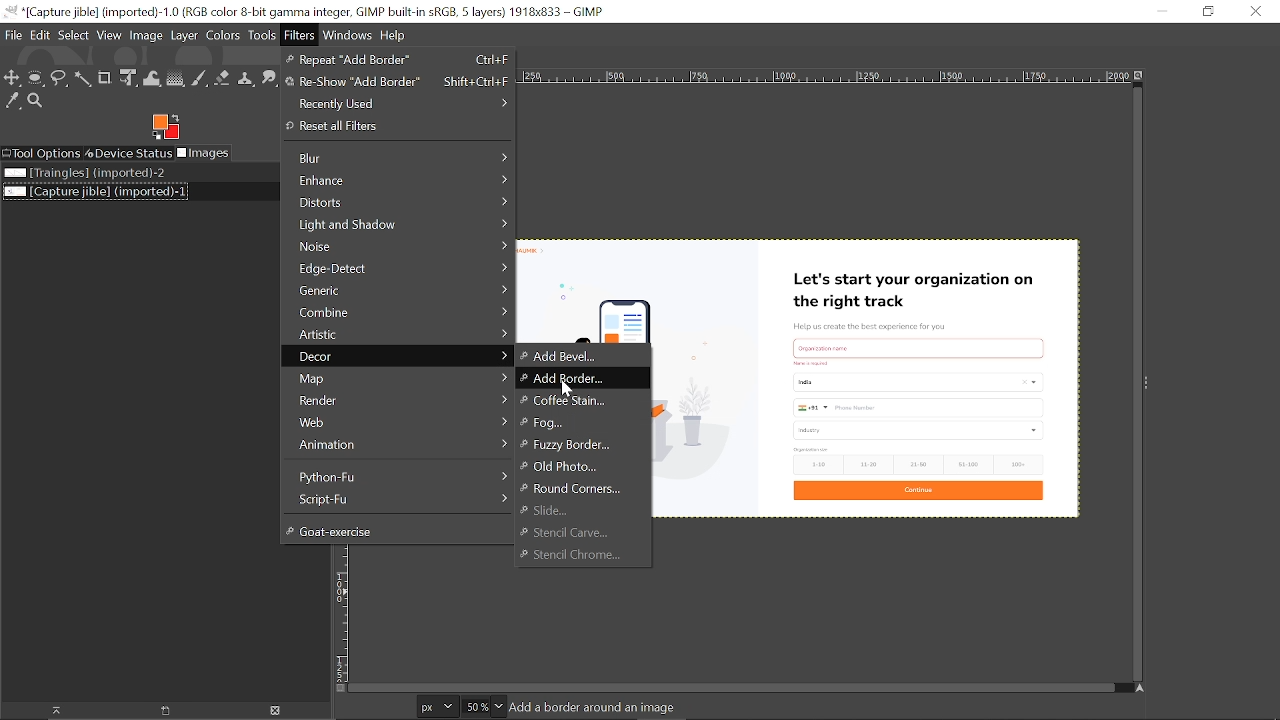 The width and height of the screenshot is (1280, 720). What do you see at coordinates (877, 323) in the screenshot?
I see `Help us  create the best experience for you.` at bounding box center [877, 323].